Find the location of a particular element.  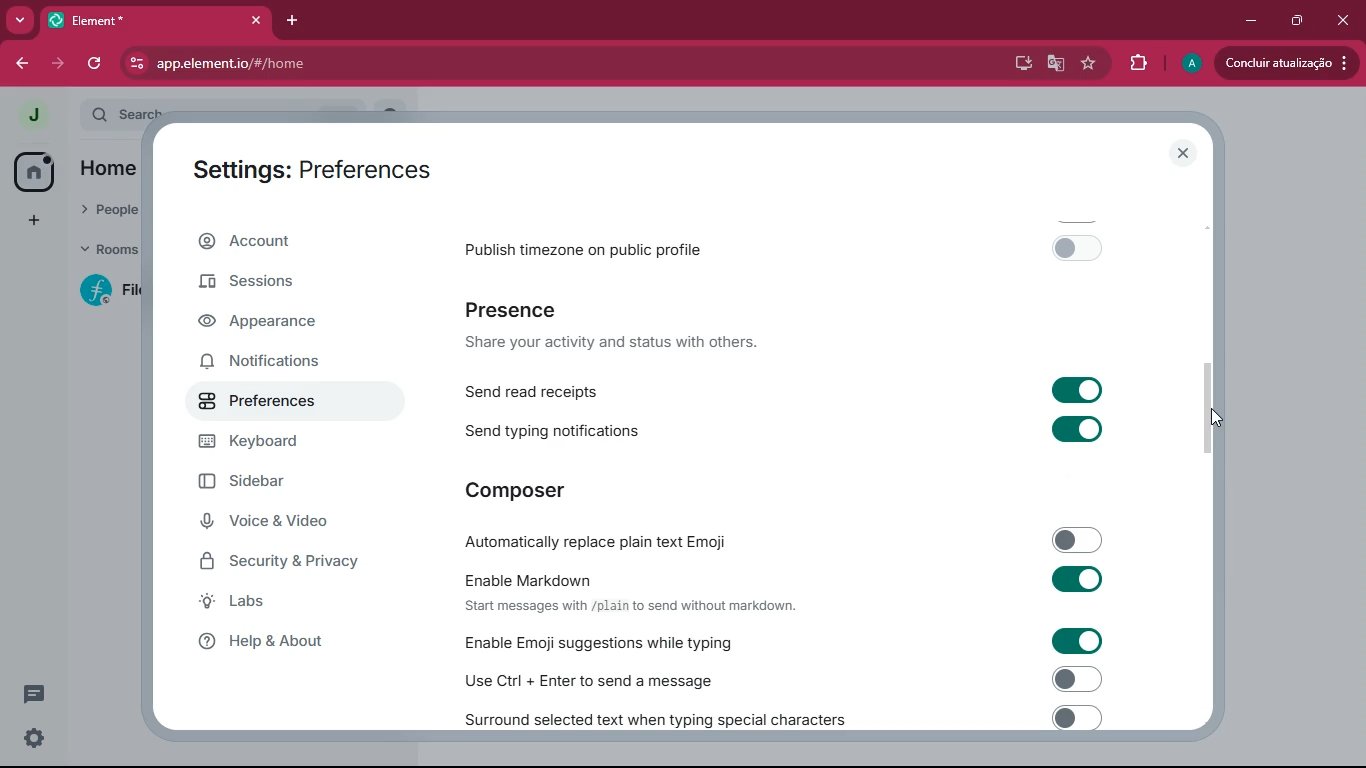

home is located at coordinates (28, 172).